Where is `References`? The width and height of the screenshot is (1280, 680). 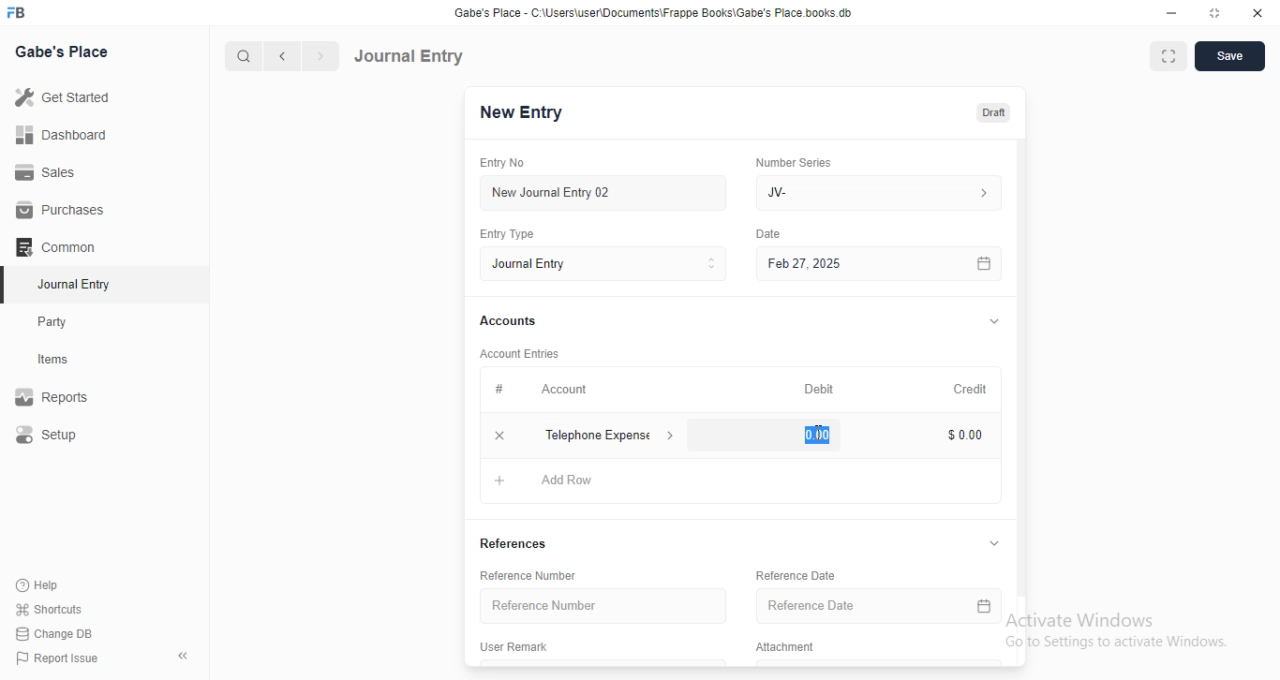 References is located at coordinates (521, 544).